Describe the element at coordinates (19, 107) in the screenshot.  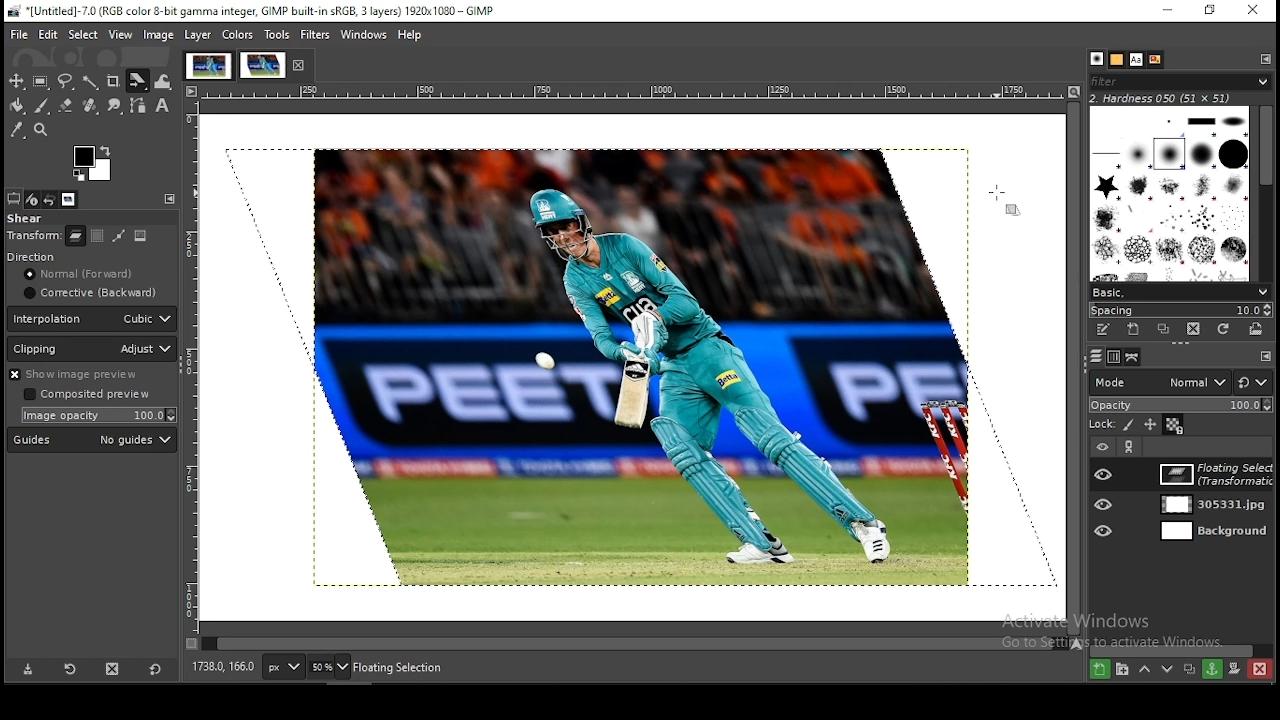
I see `paint bucket tool` at that location.